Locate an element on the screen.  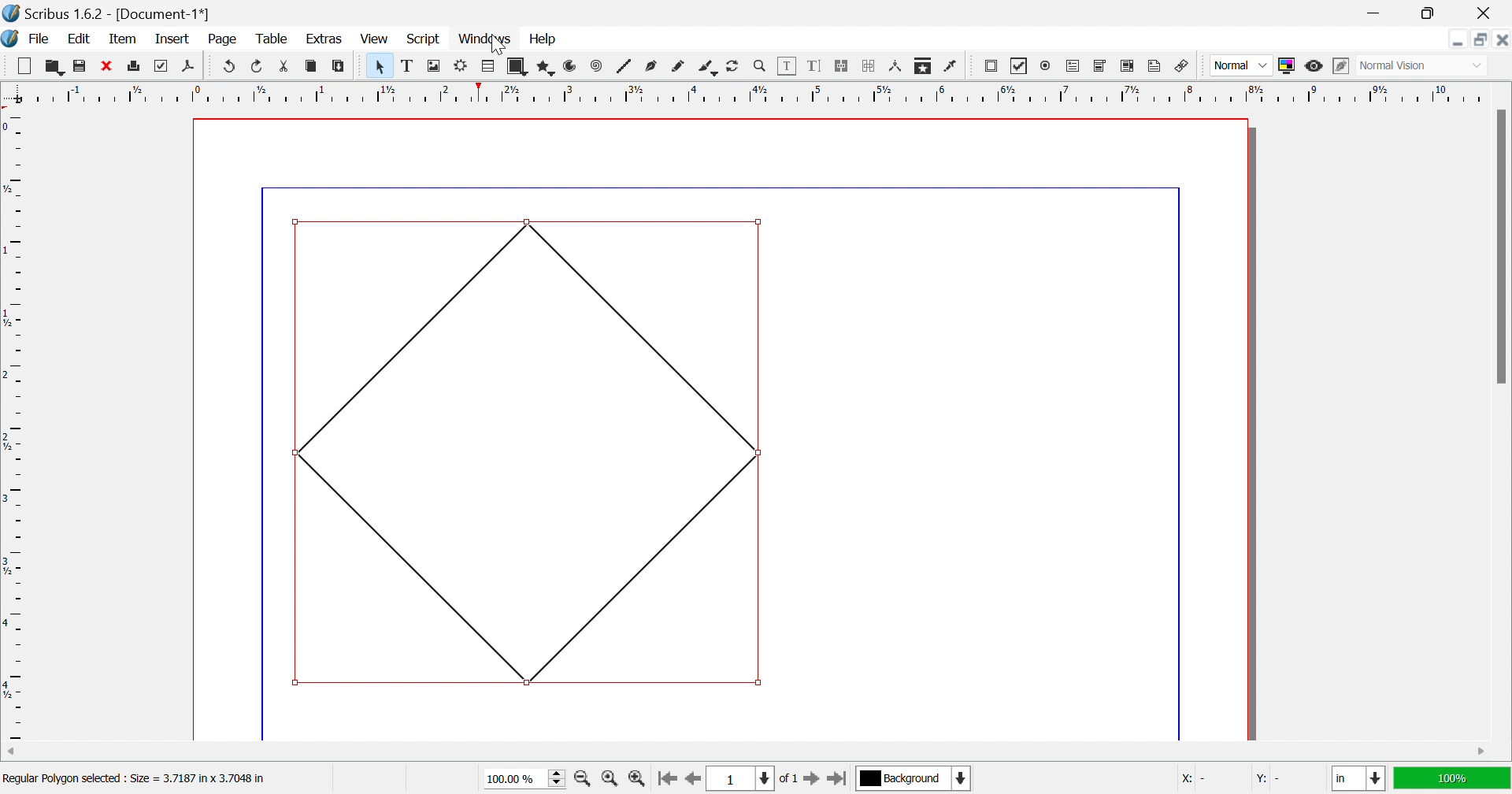
Close is located at coordinates (1488, 13).